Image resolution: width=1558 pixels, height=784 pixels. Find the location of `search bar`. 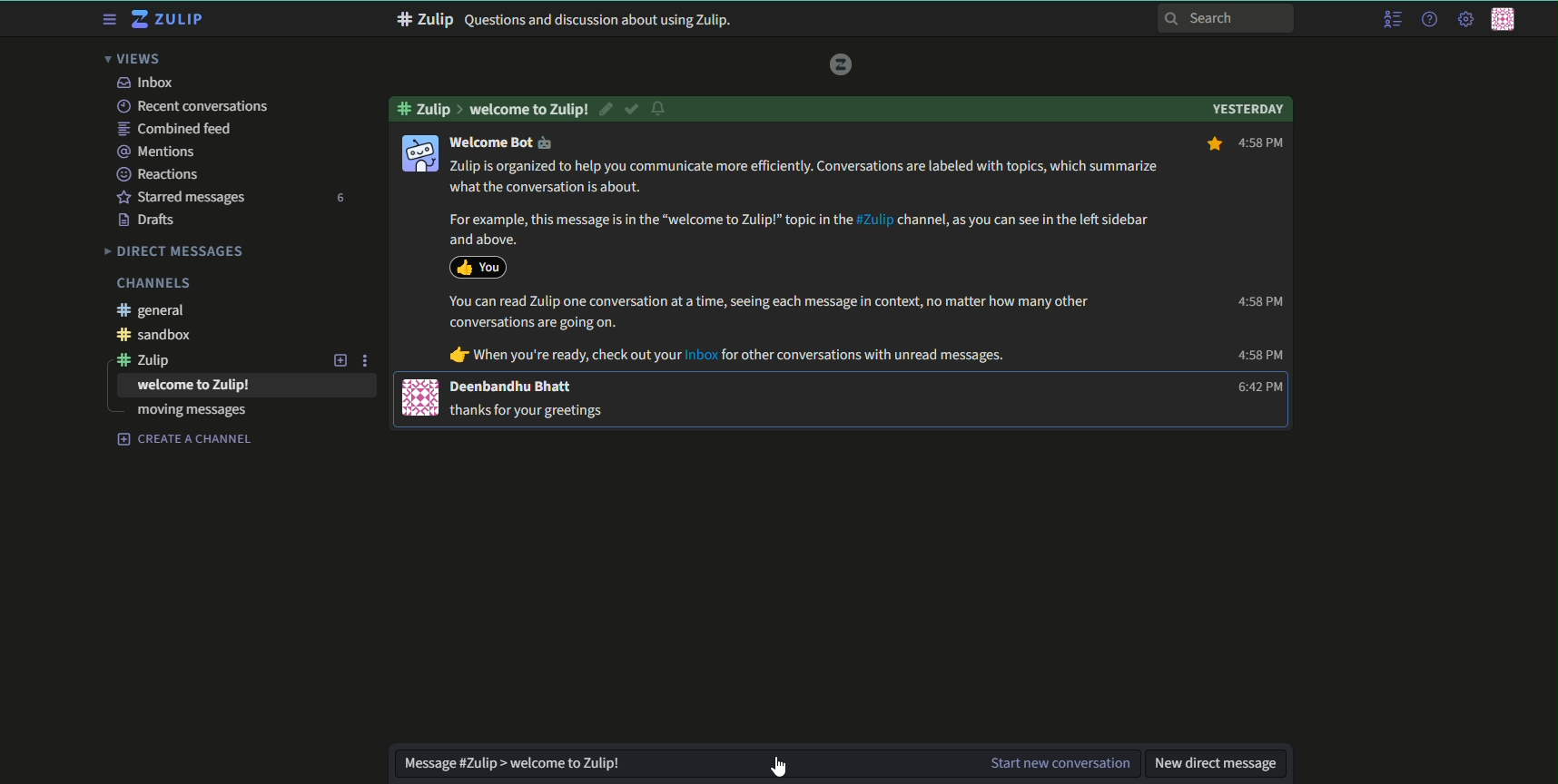

search bar is located at coordinates (1227, 17).